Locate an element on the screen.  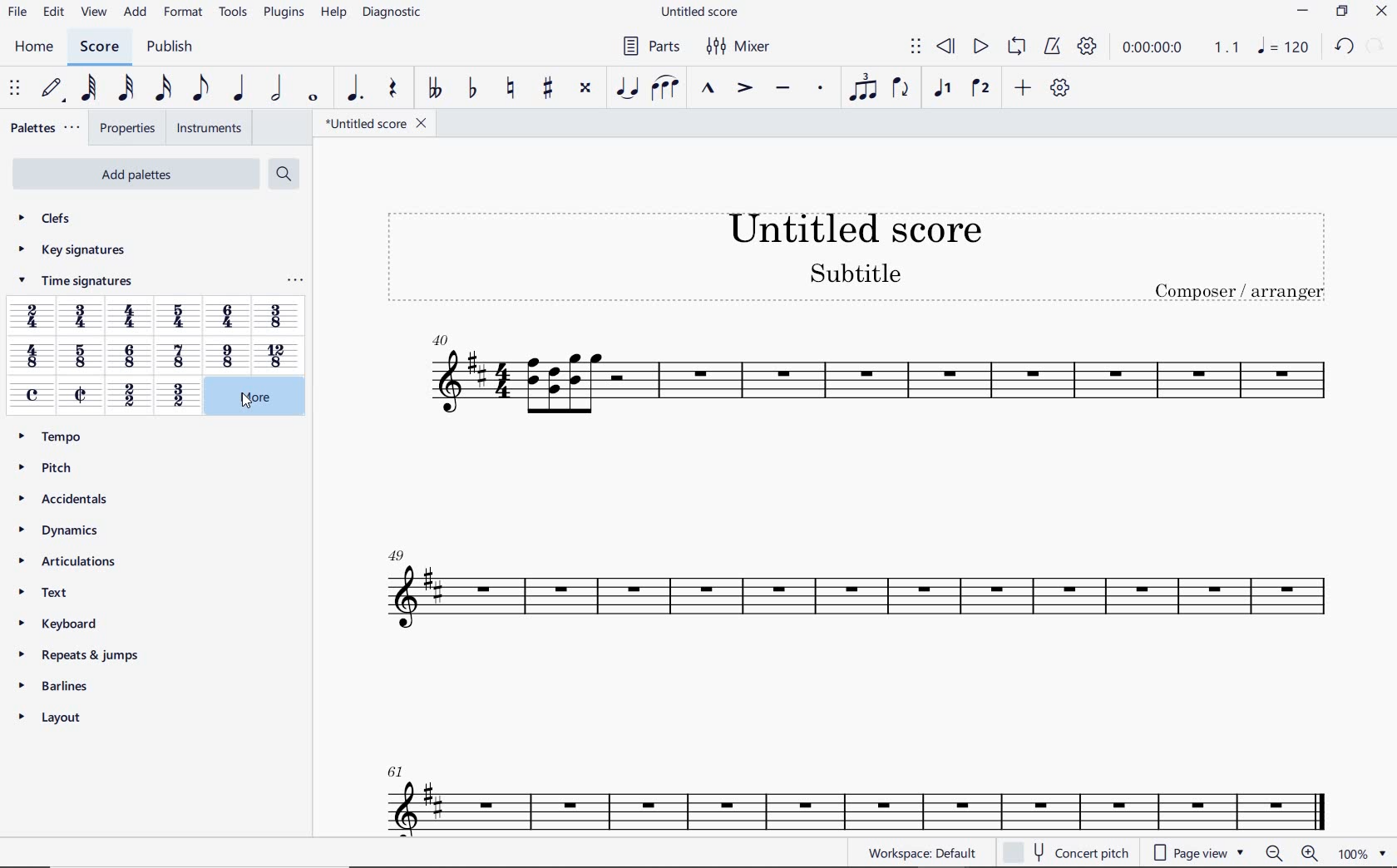
PALETTES is located at coordinates (46, 128).